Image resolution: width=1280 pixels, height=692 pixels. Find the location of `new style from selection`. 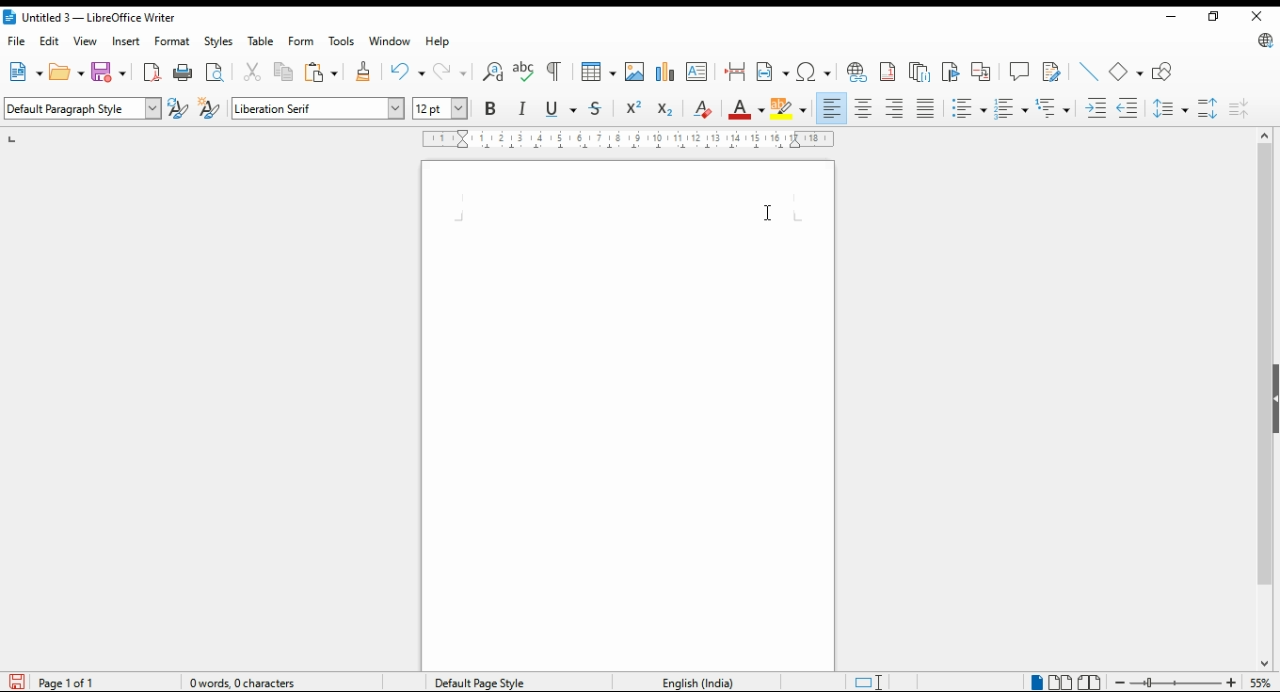

new style from selection is located at coordinates (212, 109).